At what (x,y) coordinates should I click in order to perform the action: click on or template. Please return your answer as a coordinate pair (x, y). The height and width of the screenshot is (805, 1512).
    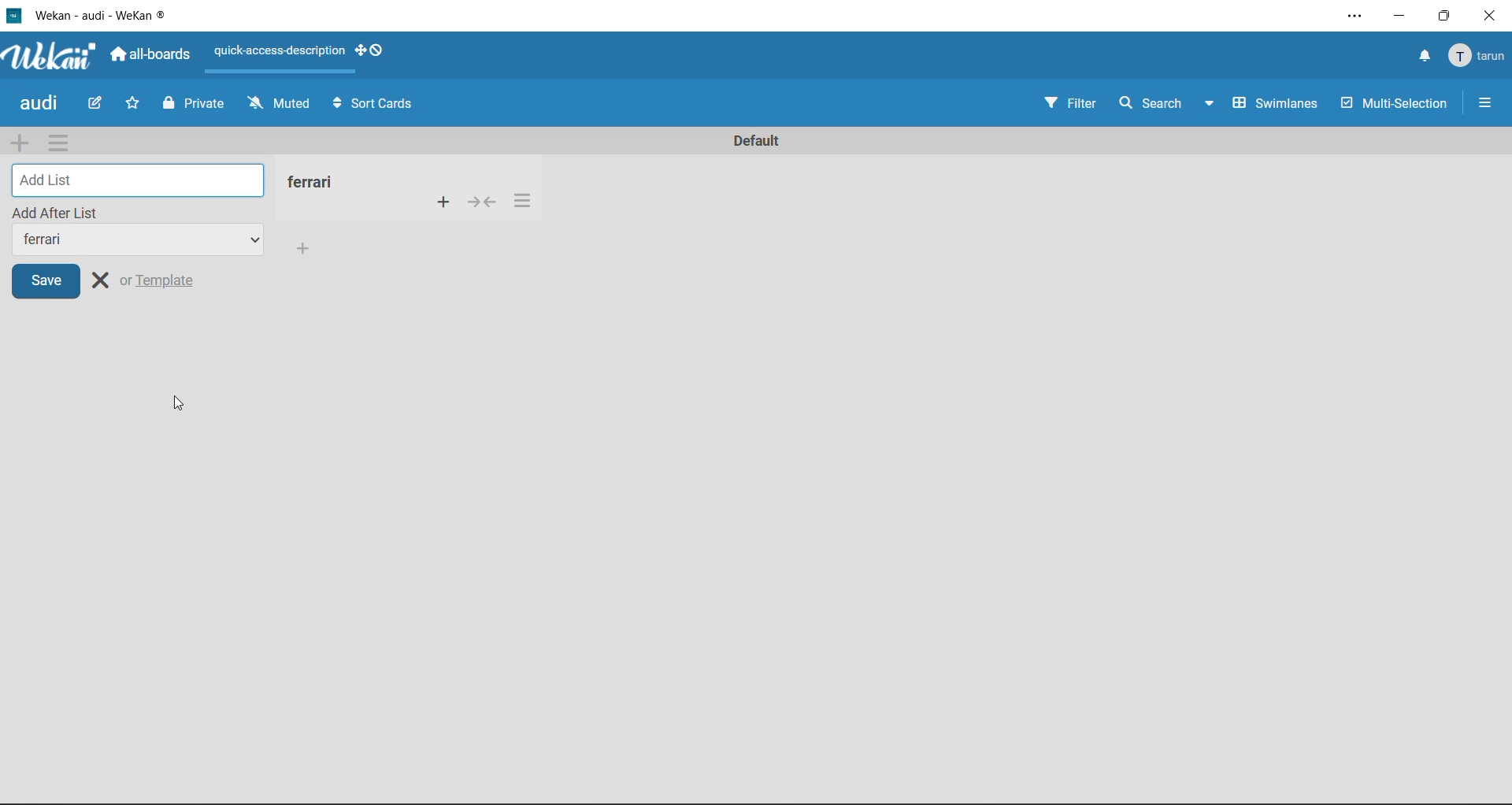
    Looking at the image, I should click on (169, 280).